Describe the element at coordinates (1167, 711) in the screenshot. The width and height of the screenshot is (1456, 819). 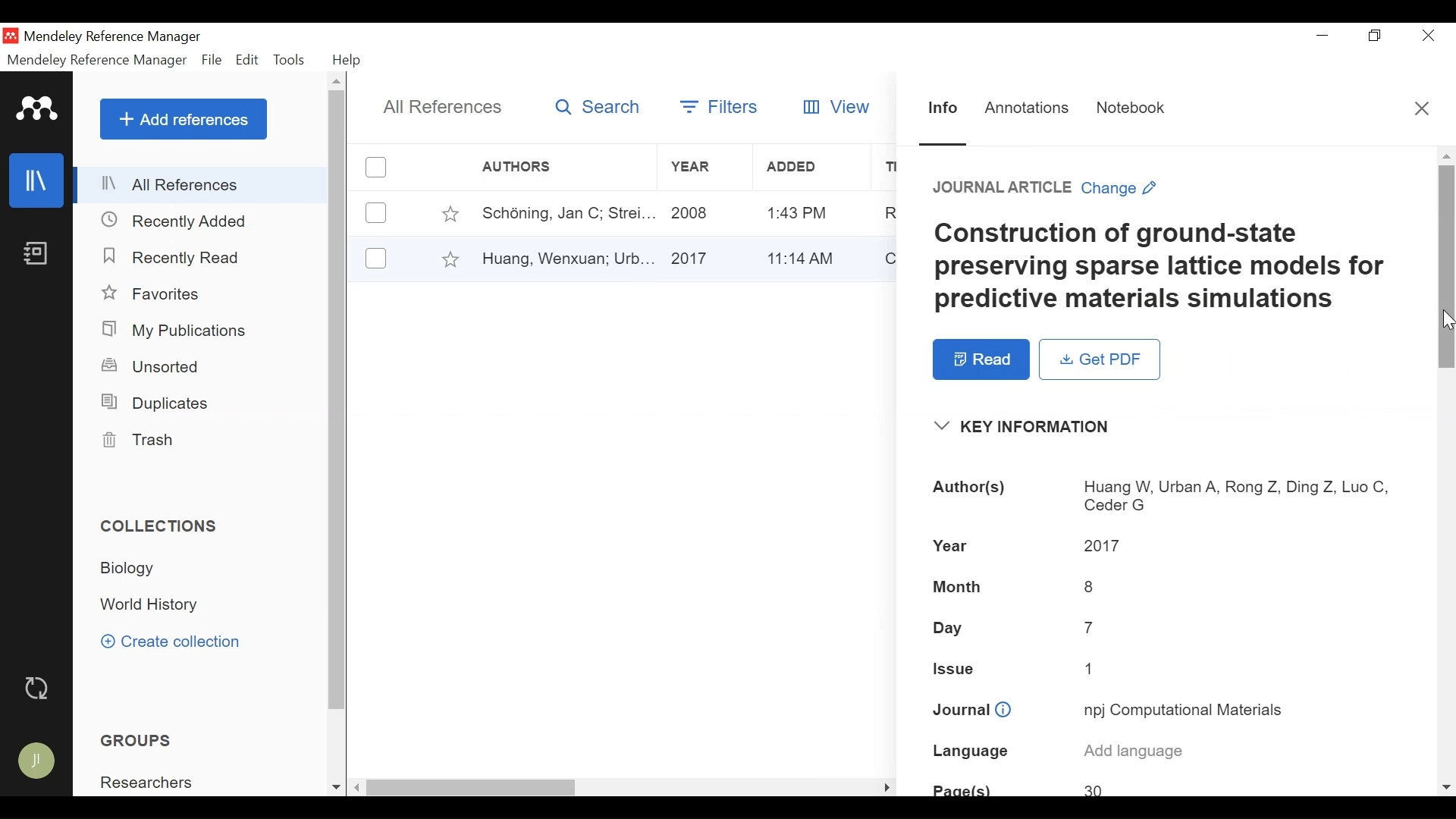
I see `Journal` at that location.